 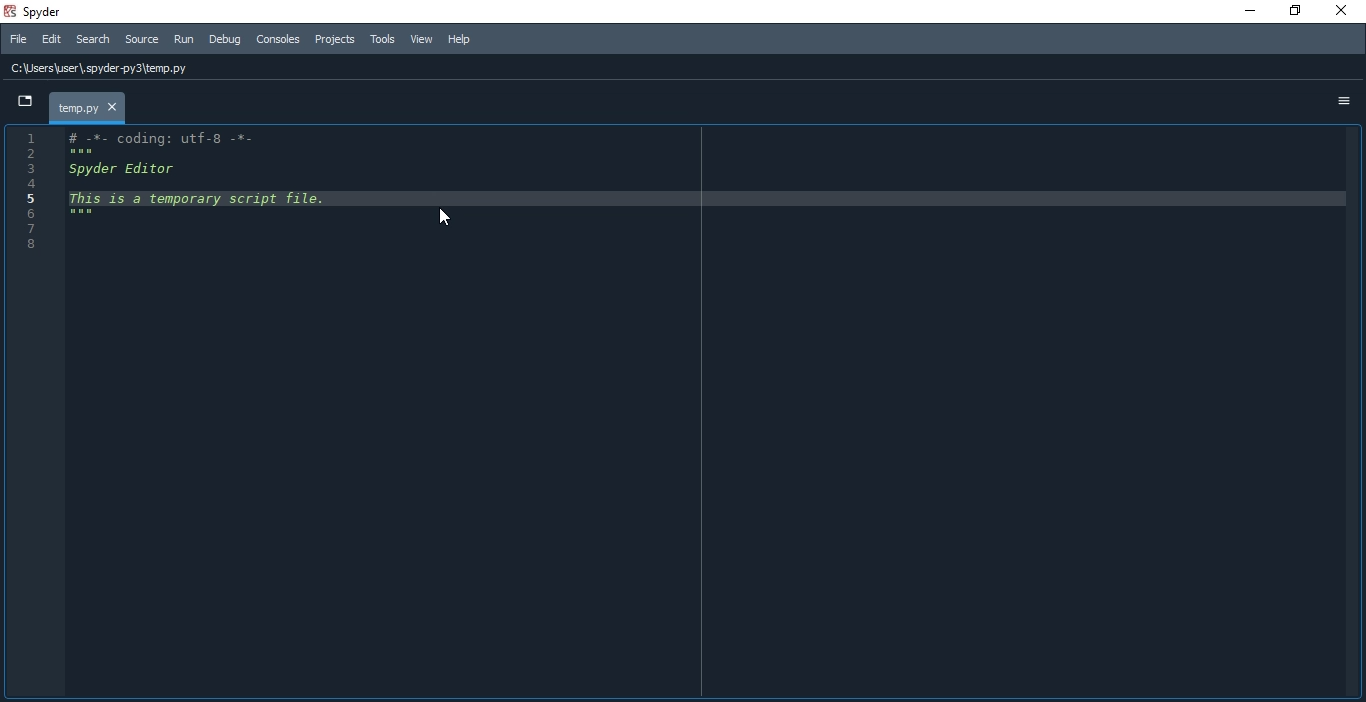 What do you see at coordinates (423, 41) in the screenshot?
I see `View` at bounding box center [423, 41].